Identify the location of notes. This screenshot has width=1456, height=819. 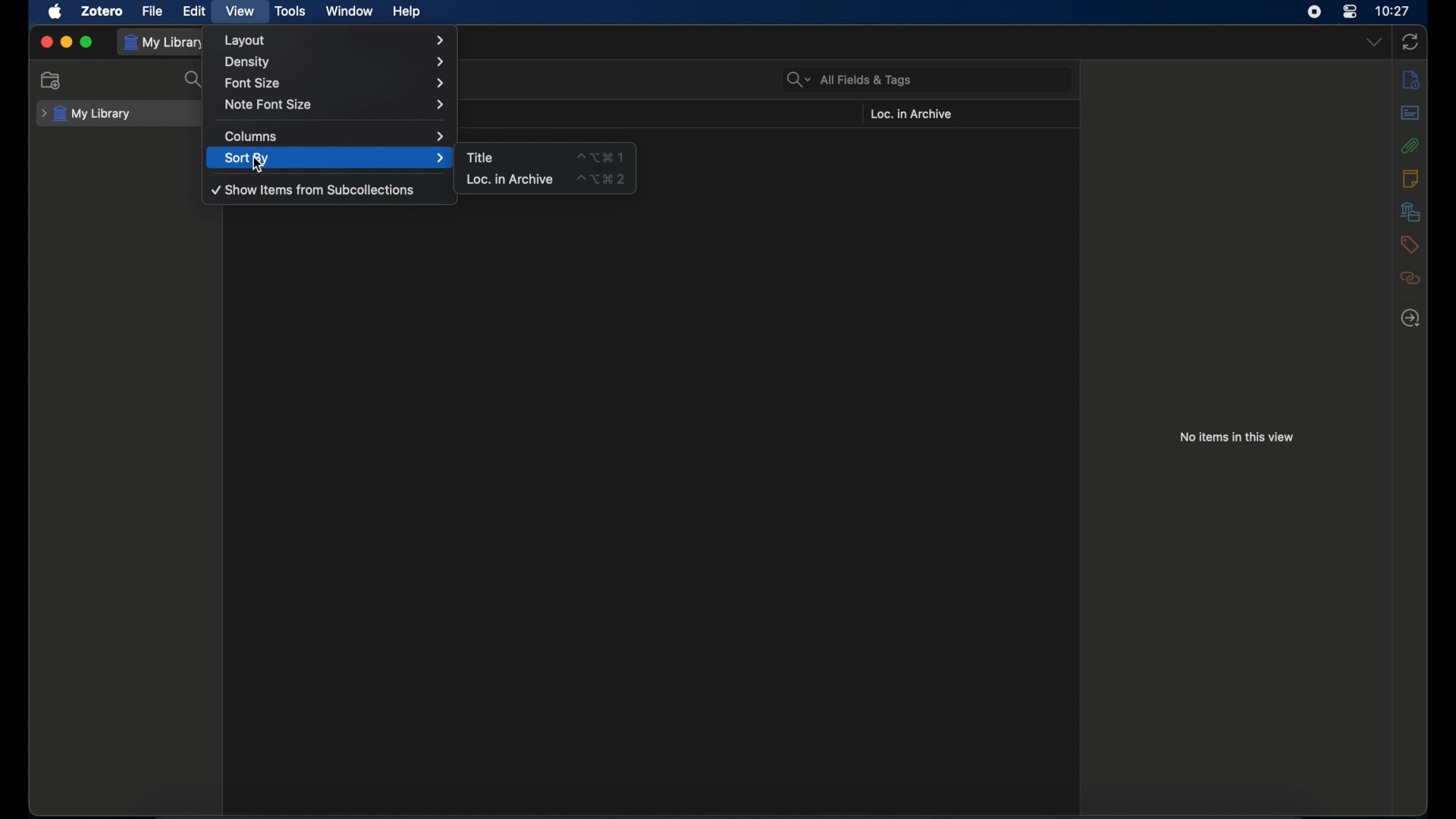
(1411, 80).